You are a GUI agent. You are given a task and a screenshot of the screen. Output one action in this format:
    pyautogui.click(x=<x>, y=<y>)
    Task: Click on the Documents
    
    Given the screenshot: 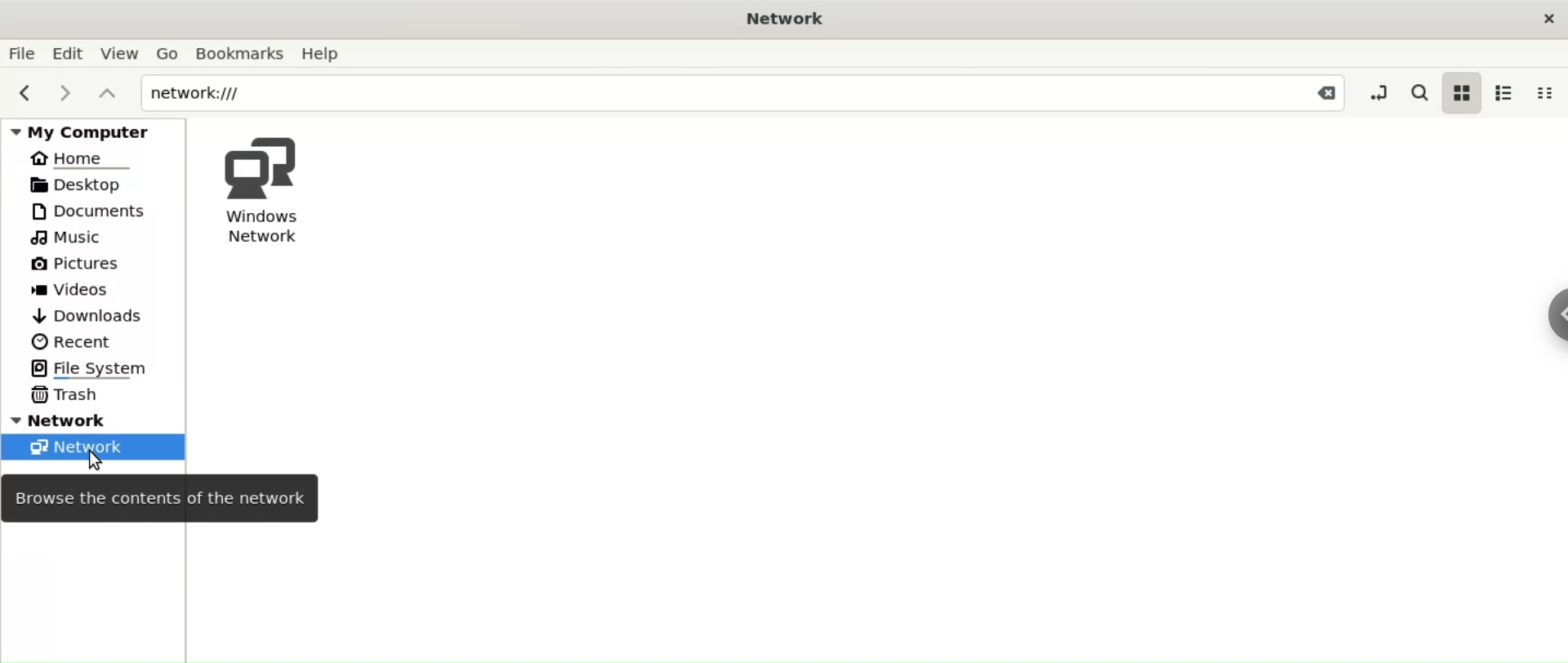 What is the action you would take?
    pyautogui.click(x=91, y=211)
    